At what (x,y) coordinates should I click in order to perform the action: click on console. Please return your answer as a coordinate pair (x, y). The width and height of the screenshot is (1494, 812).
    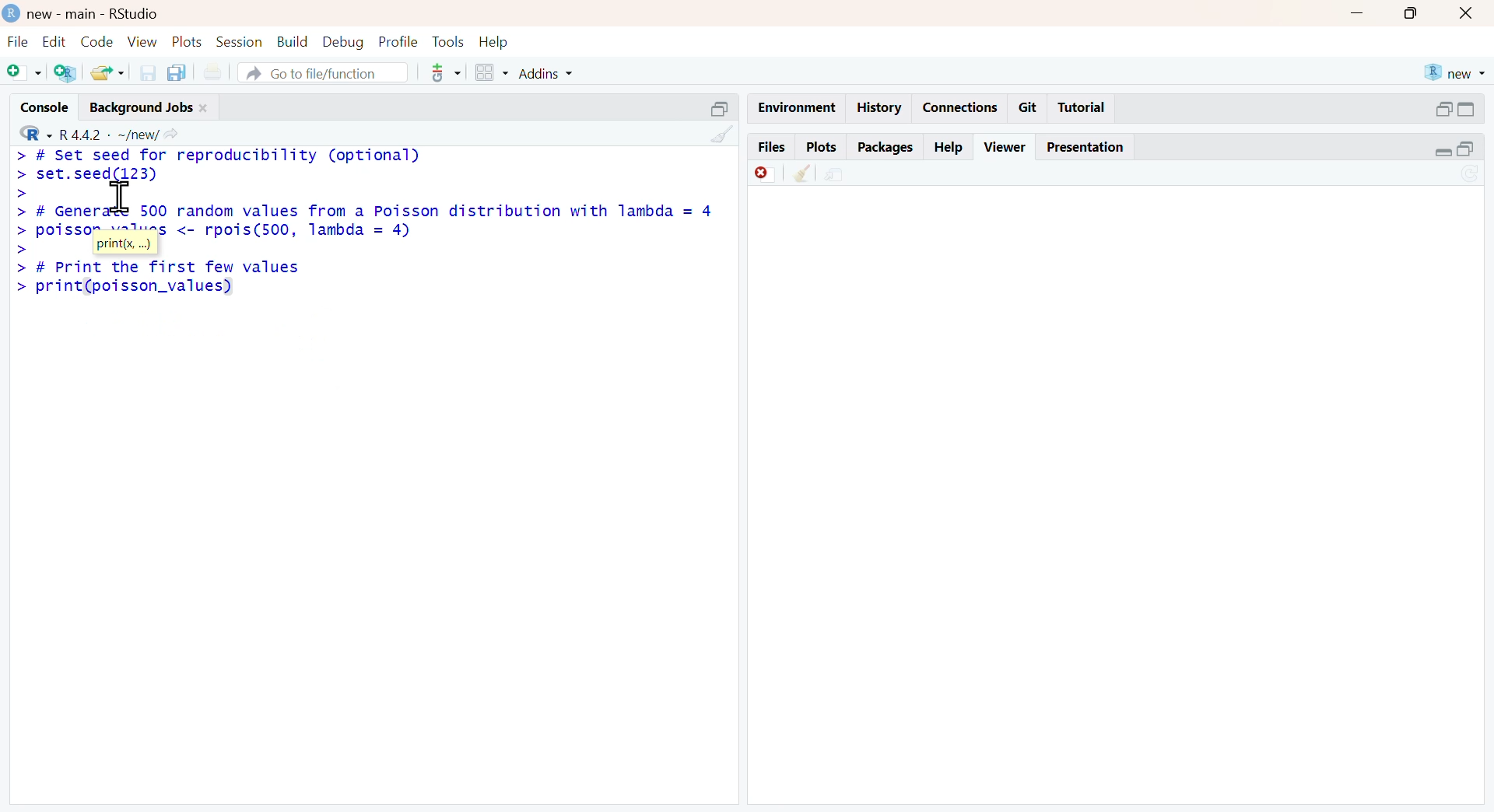
    Looking at the image, I should click on (45, 107).